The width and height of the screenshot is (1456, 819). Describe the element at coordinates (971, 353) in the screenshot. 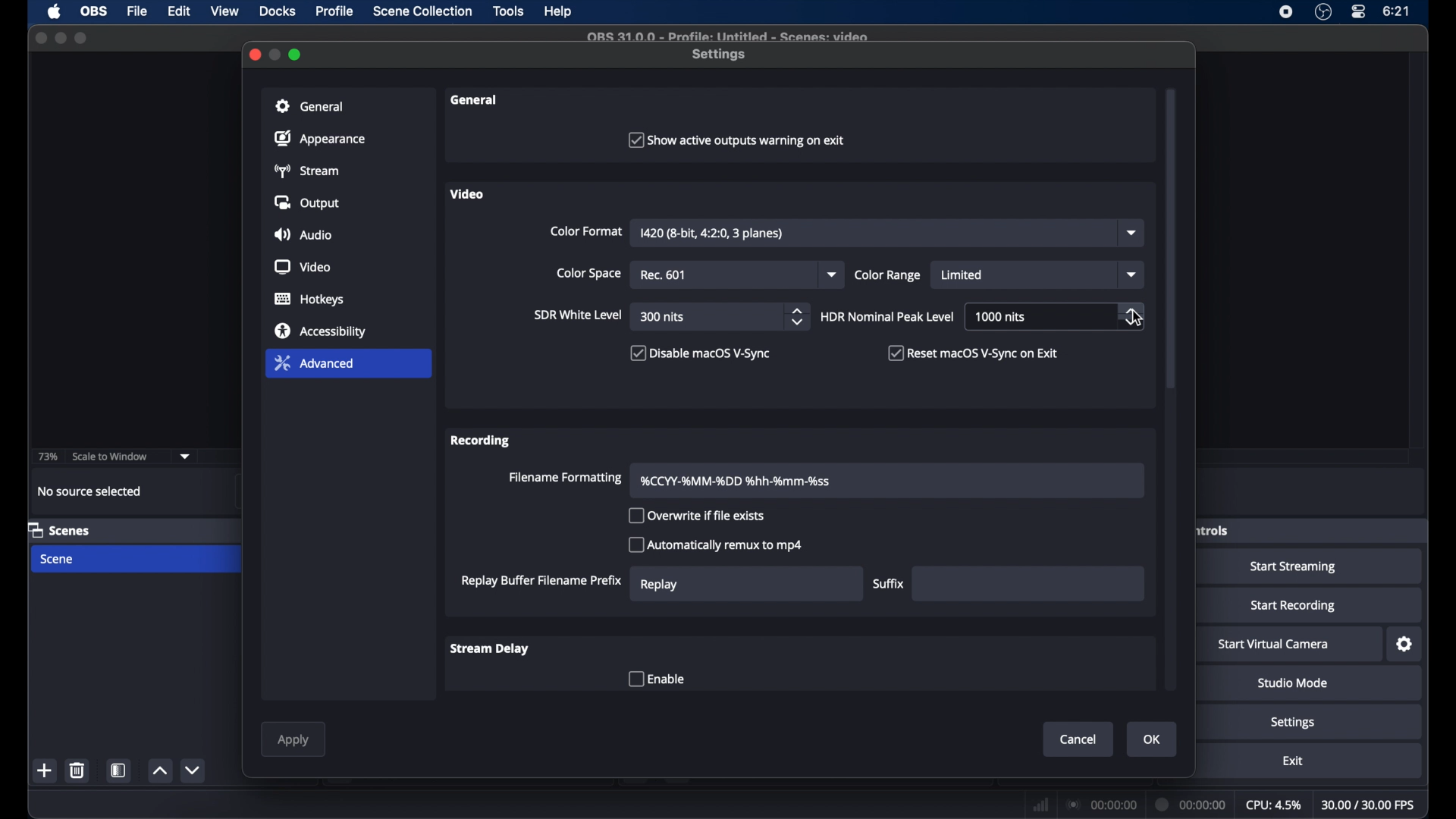

I see `Reset macOS V-Sync on Exit` at that location.